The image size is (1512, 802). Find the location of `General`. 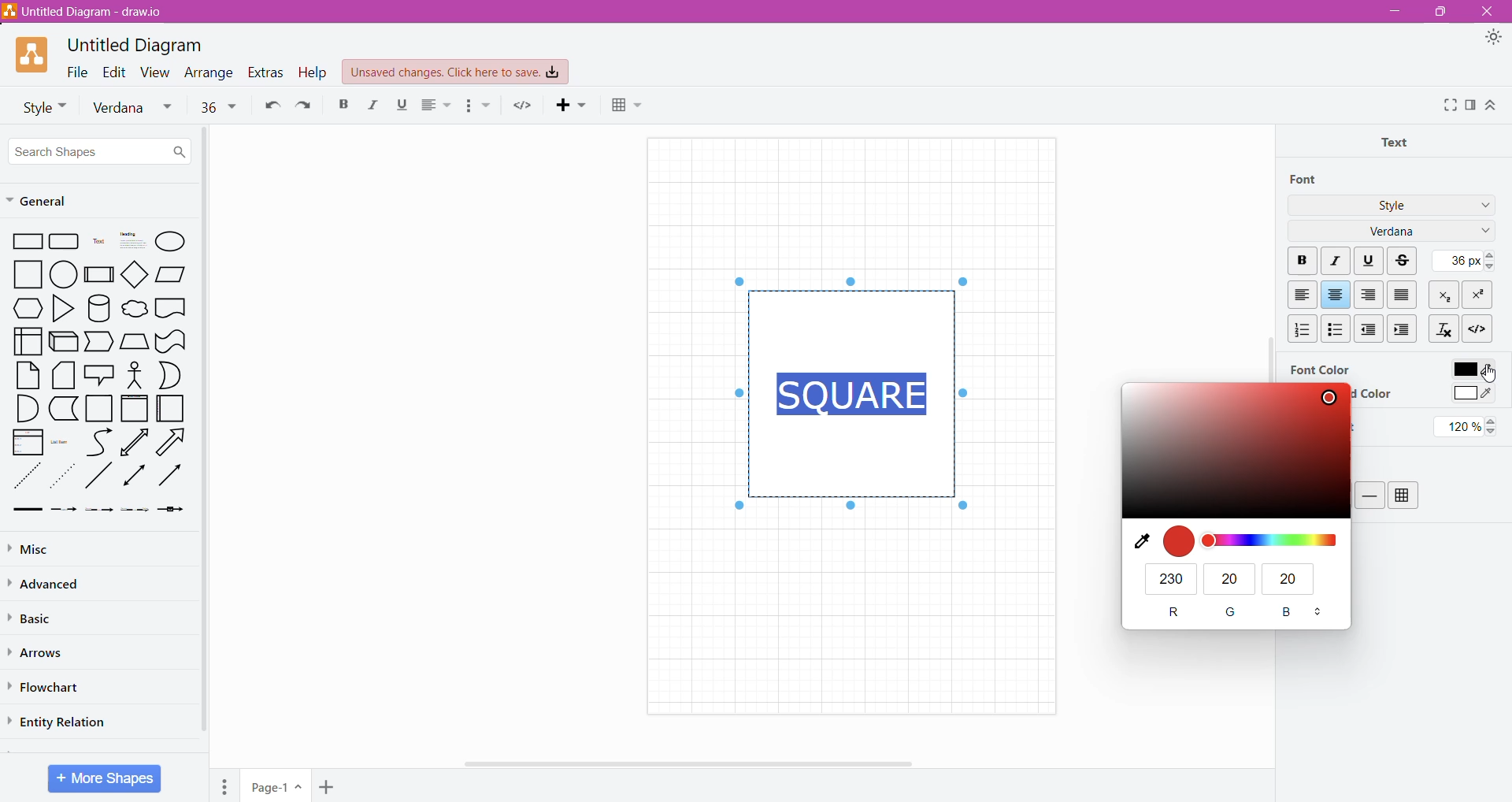

General is located at coordinates (45, 202).